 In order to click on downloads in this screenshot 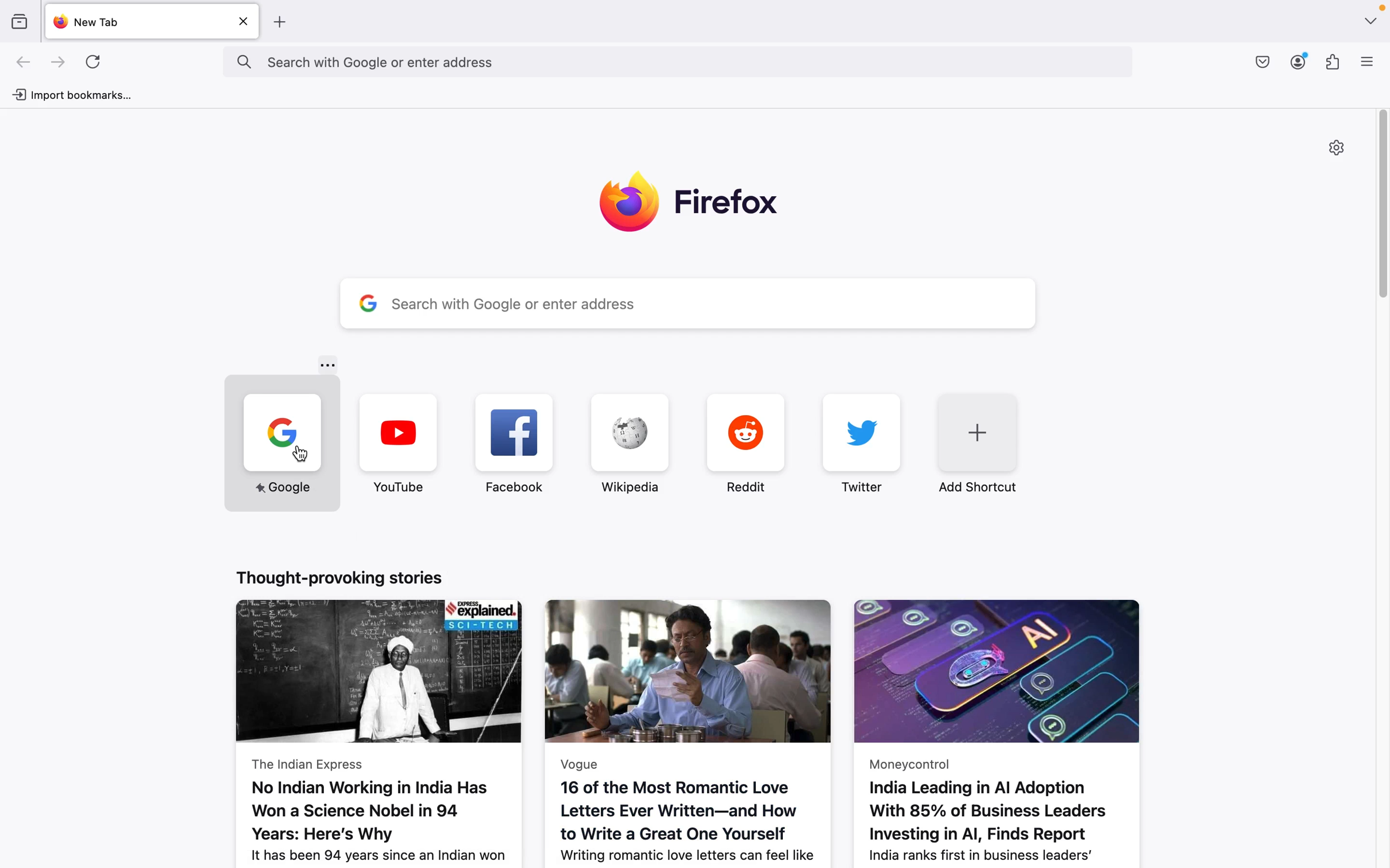, I will do `click(1258, 61)`.